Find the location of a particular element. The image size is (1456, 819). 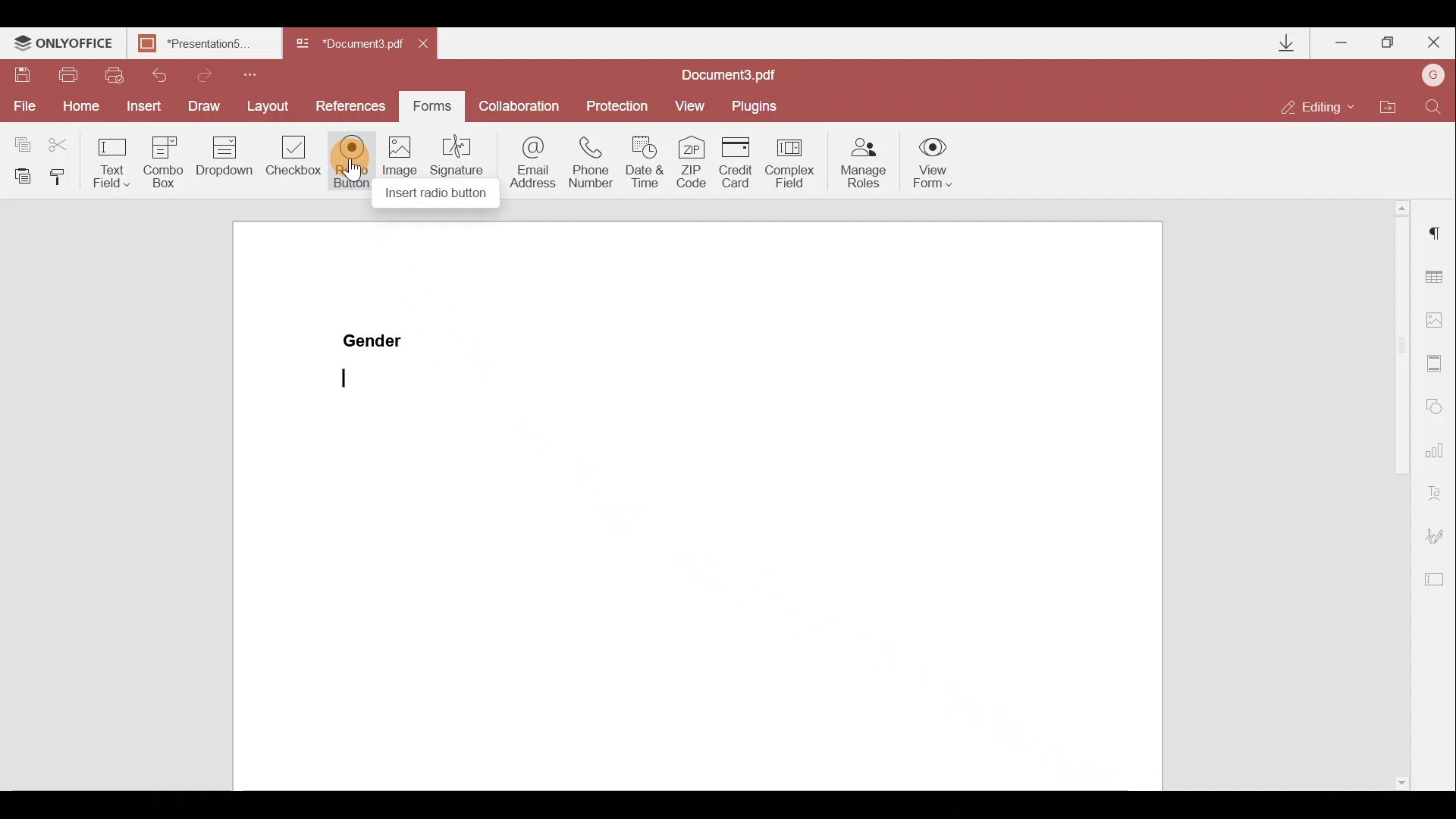

ONLYOFFICE is located at coordinates (63, 45).